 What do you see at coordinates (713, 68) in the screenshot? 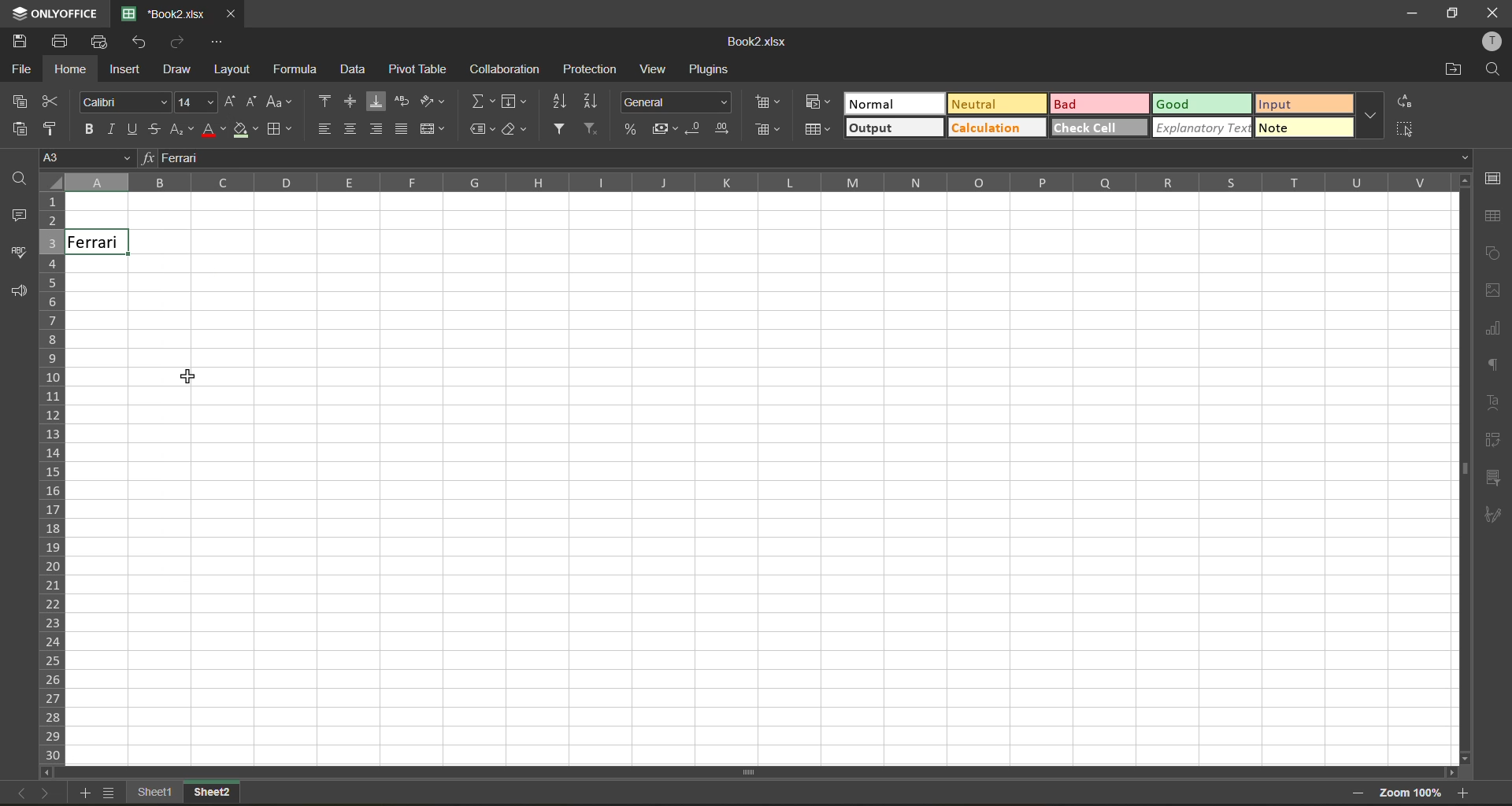
I see `plugins` at bounding box center [713, 68].